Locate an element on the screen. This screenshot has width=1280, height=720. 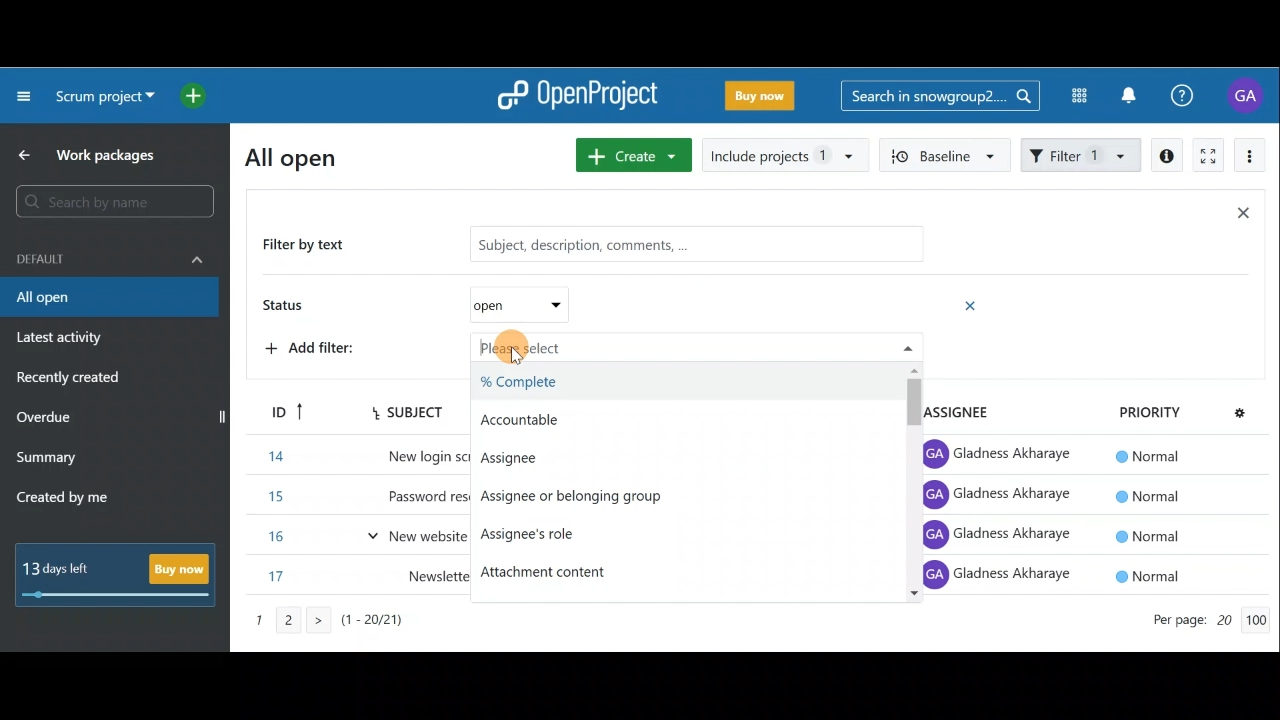
Overdue is located at coordinates (46, 419).